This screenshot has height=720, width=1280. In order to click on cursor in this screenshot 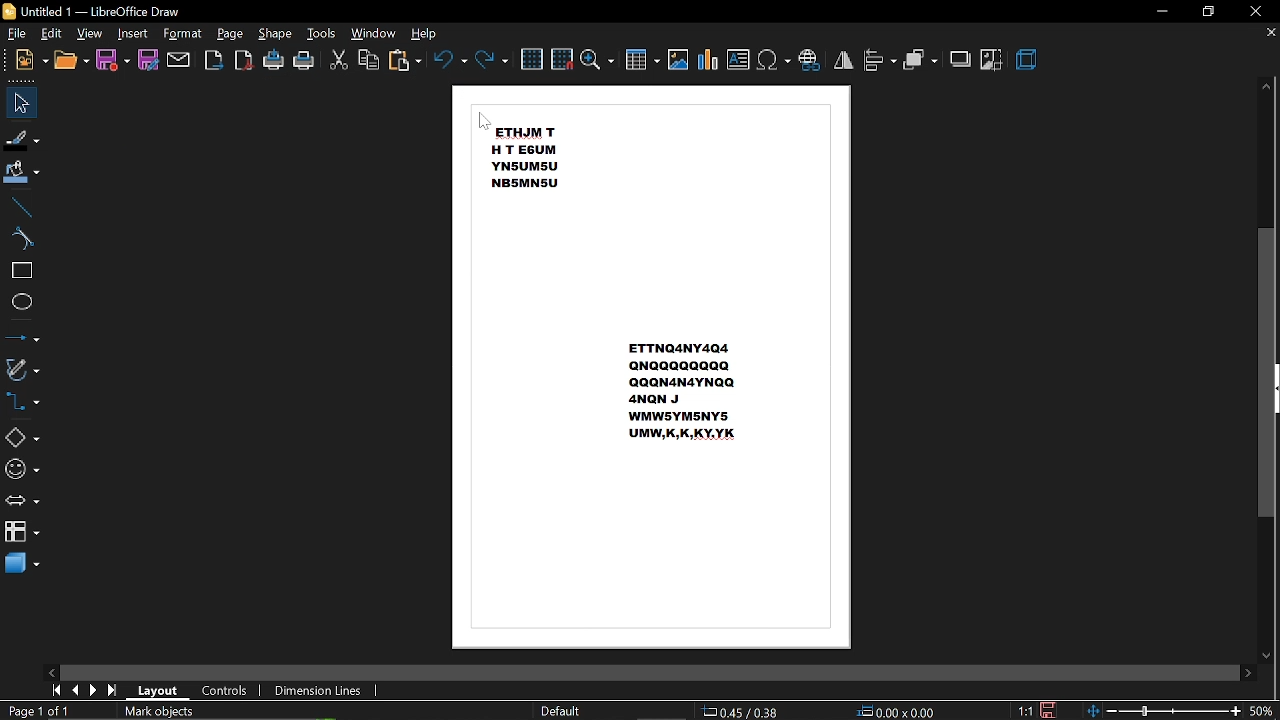, I will do `click(486, 124)`.